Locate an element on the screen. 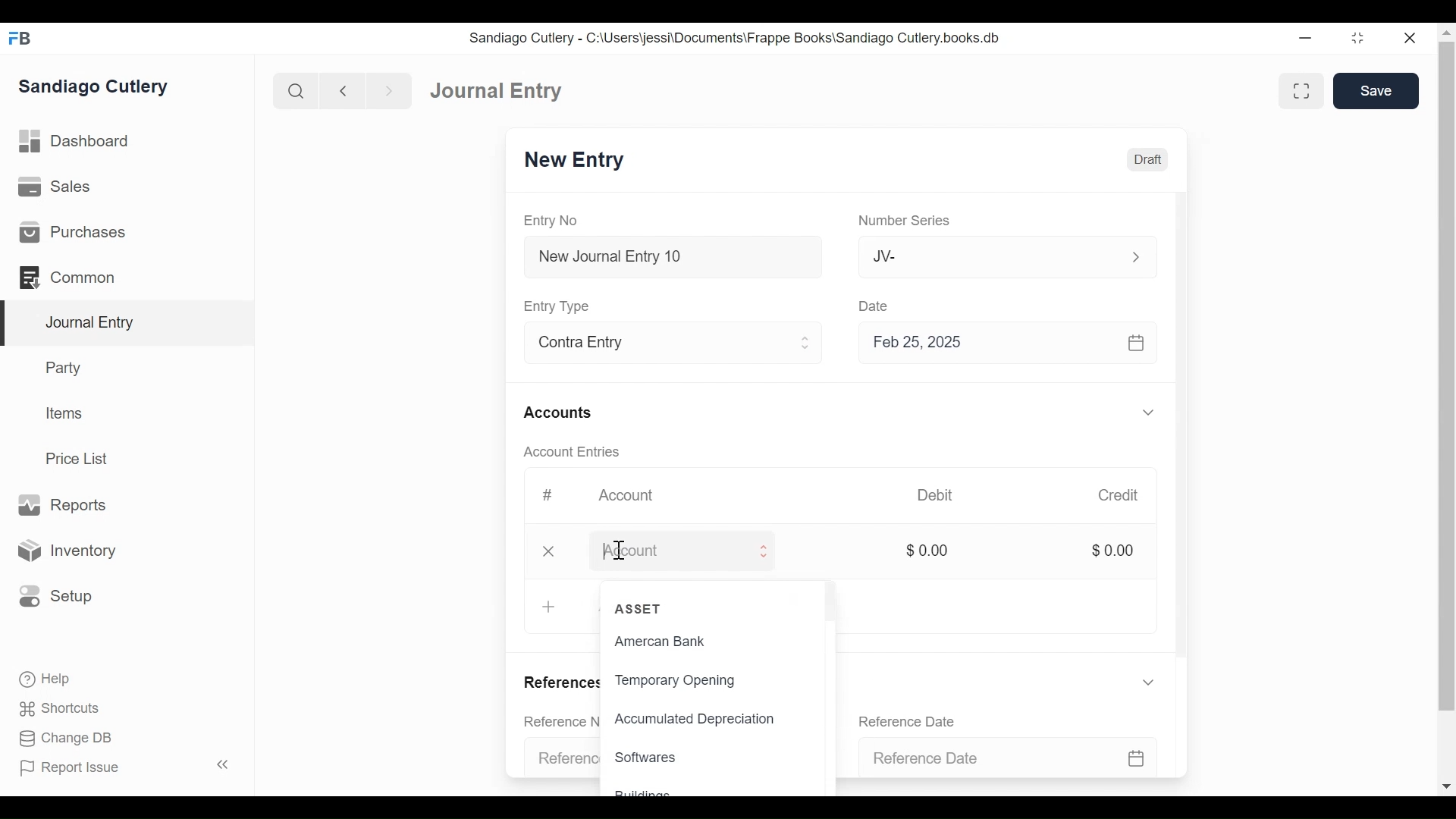 This screenshot has height=819, width=1456. Cursor is located at coordinates (620, 551).